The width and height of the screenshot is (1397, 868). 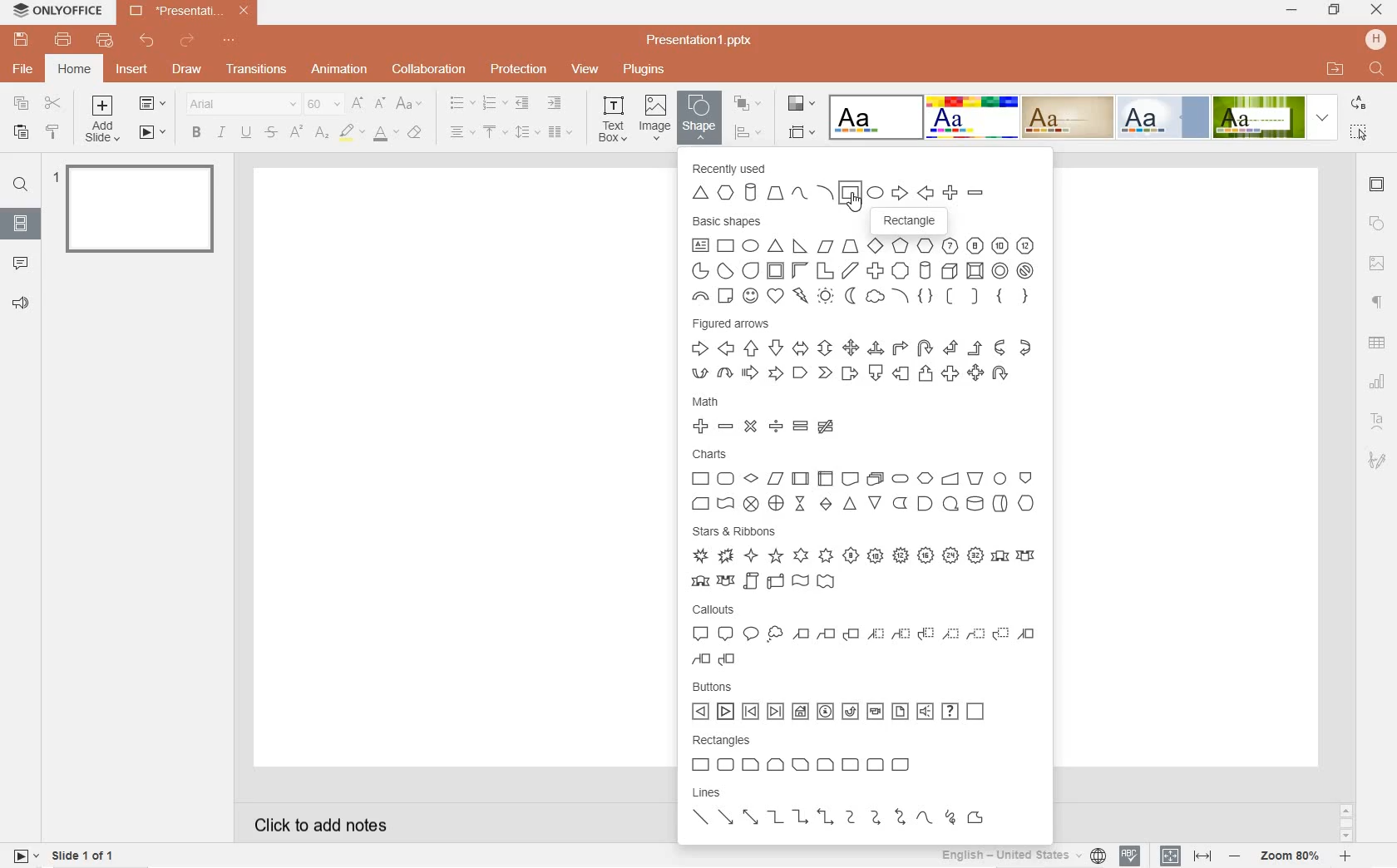 I want to click on text art settings, so click(x=1375, y=419).